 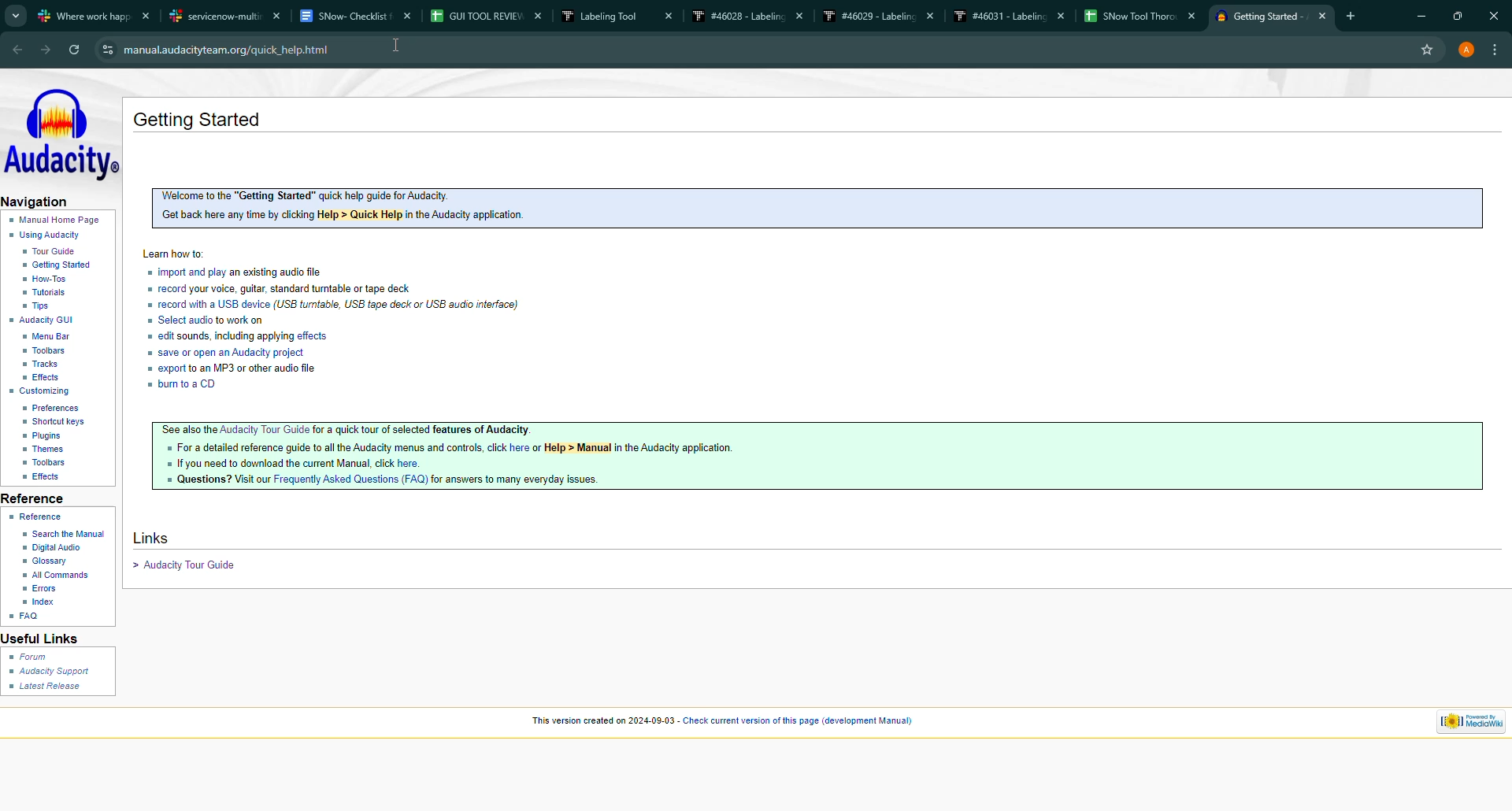 What do you see at coordinates (50, 450) in the screenshot?
I see `themes` at bounding box center [50, 450].